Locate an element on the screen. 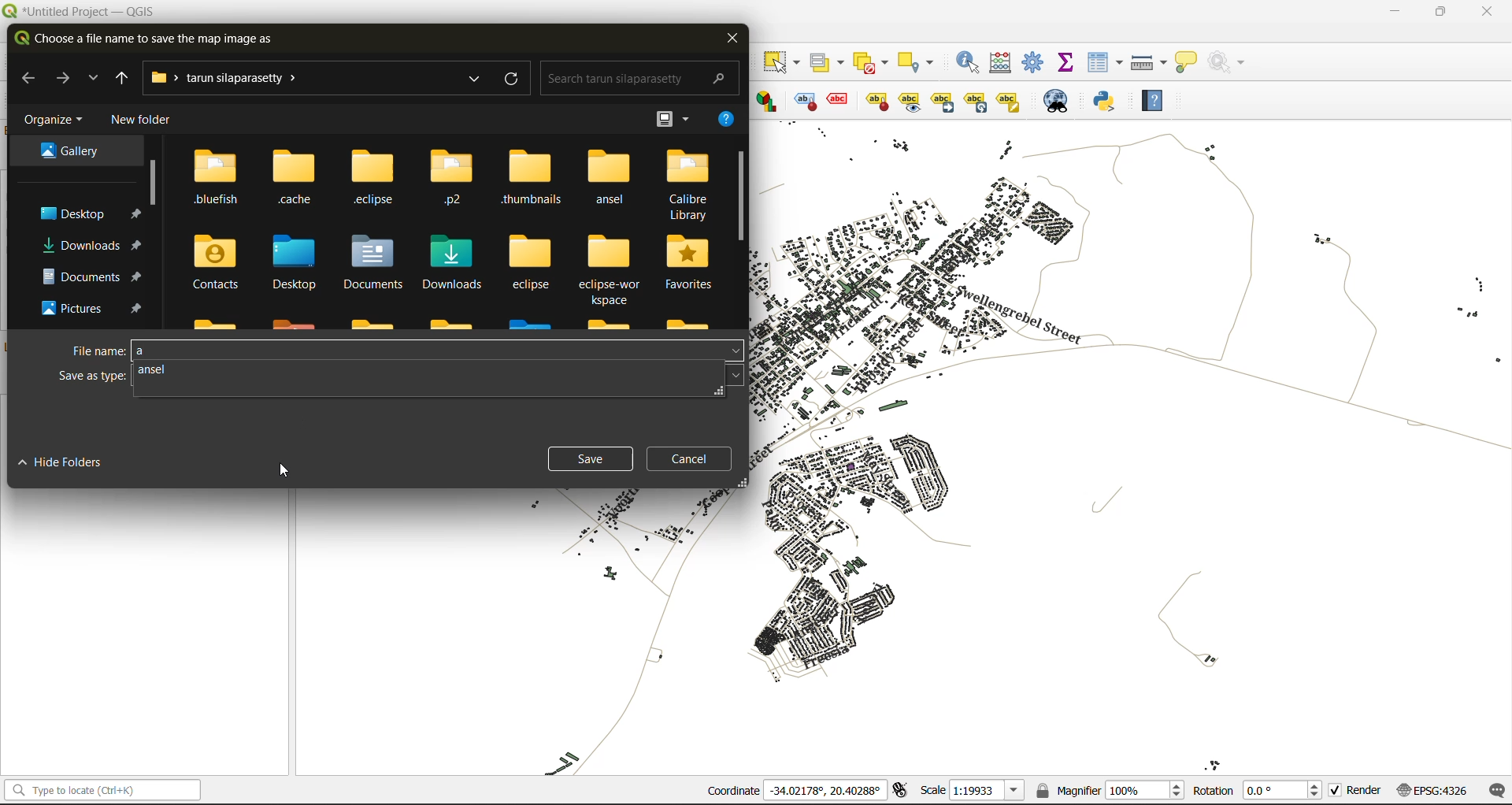 The image size is (1512, 805). measure line is located at coordinates (1149, 61).